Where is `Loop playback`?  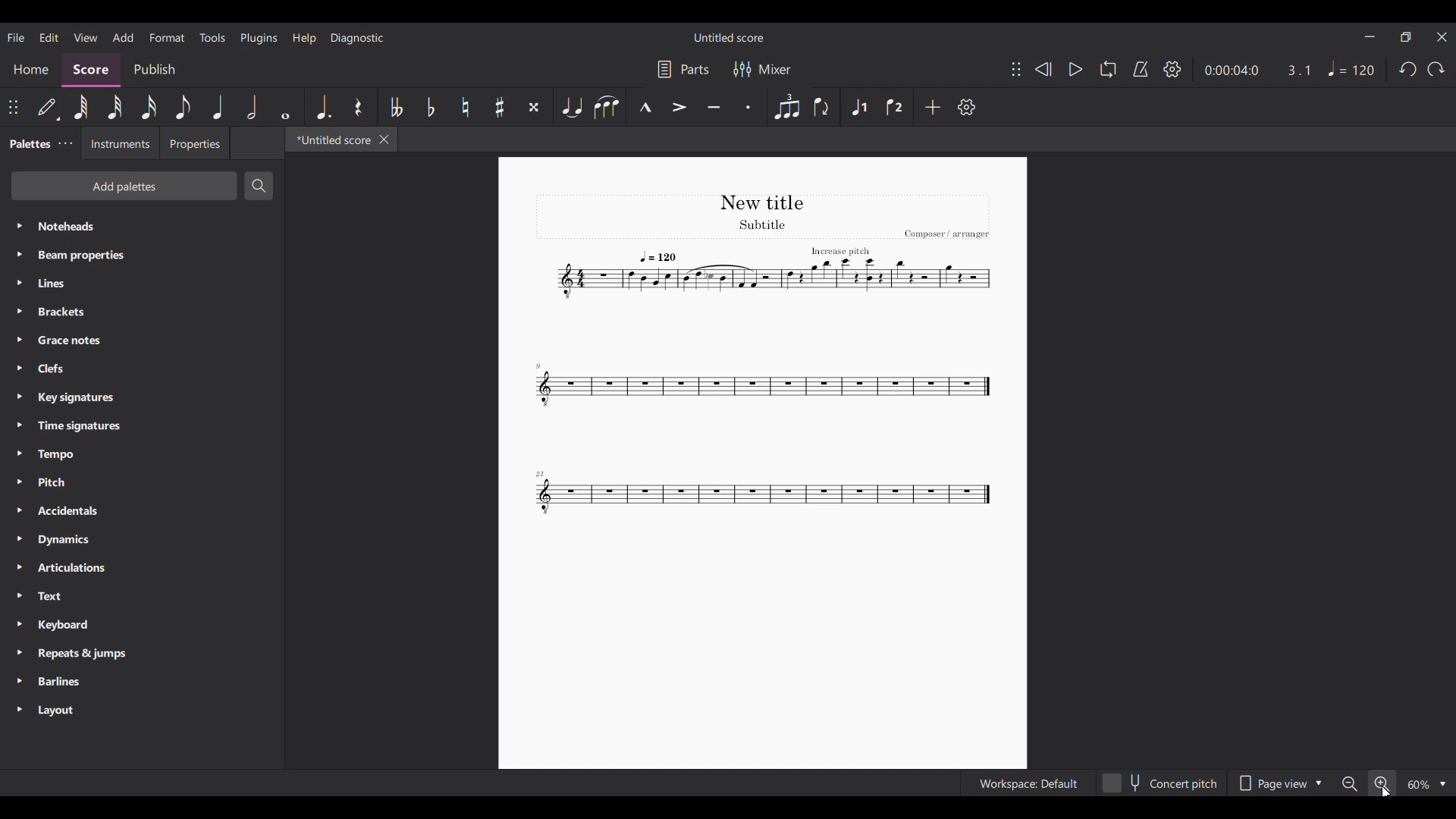
Loop playback is located at coordinates (1108, 69).